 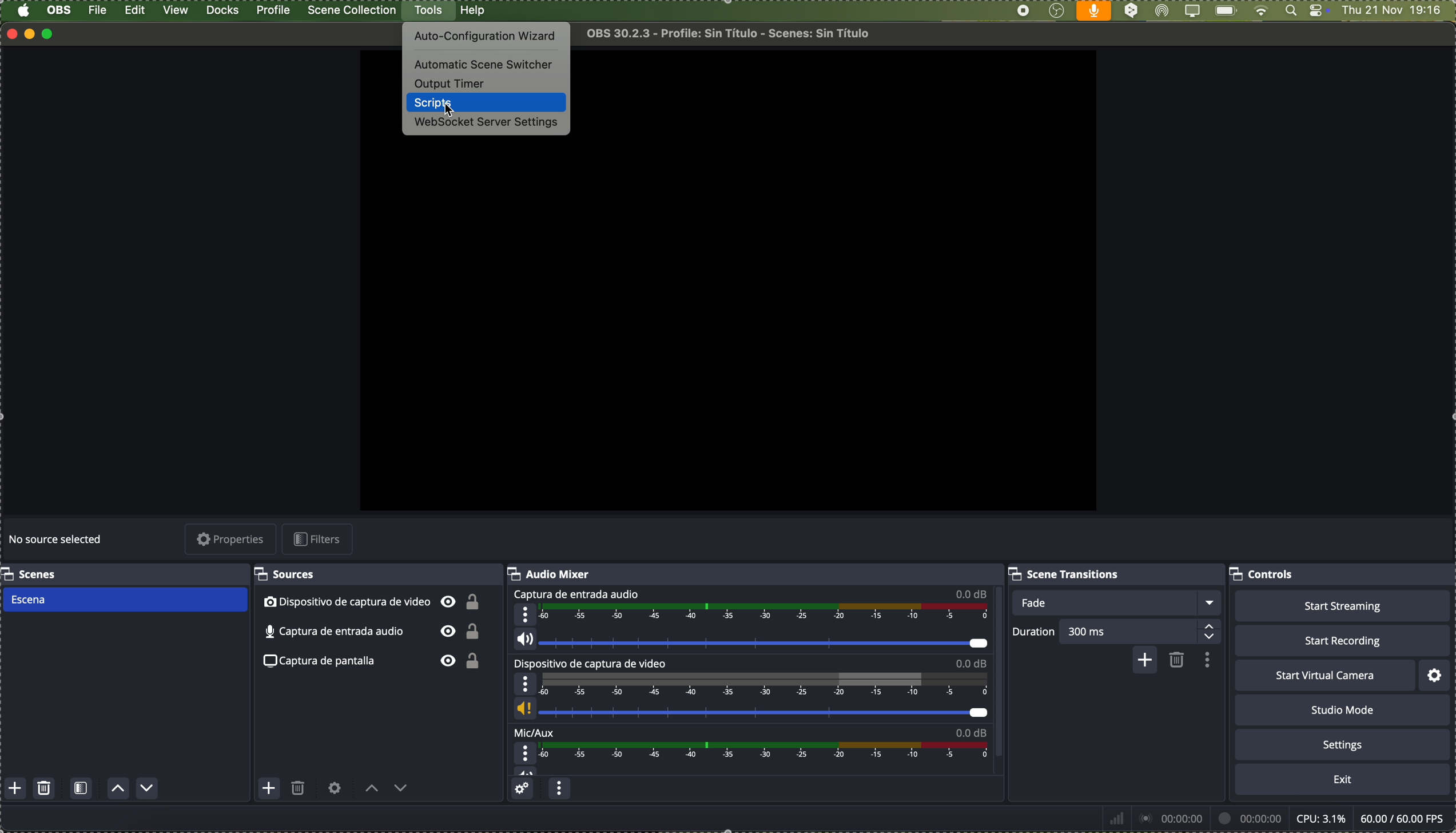 I want to click on close program, so click(x=9, y=33).